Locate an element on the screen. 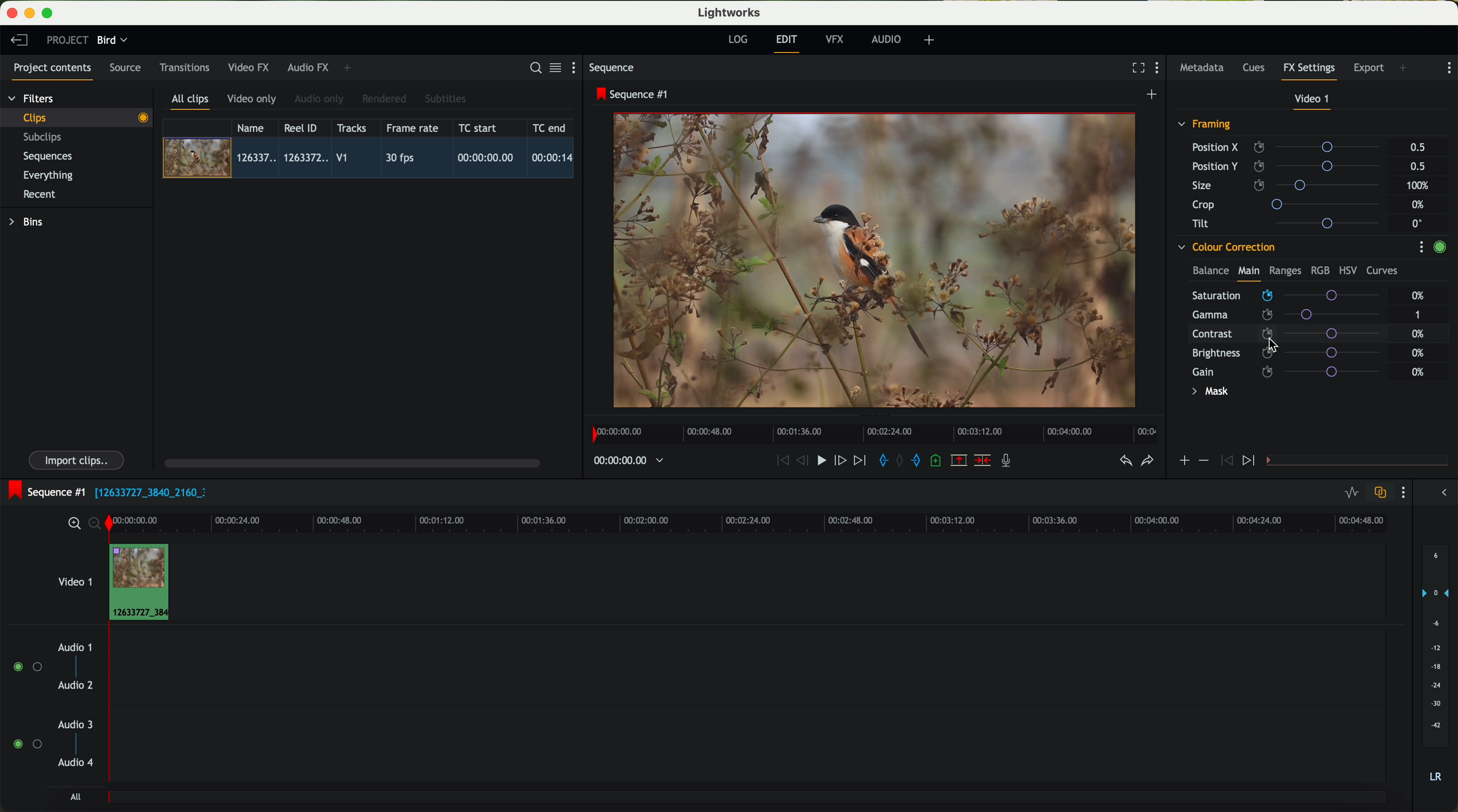 The image size is (1458, 812). show settings menu is located at coordinates (578, 67).